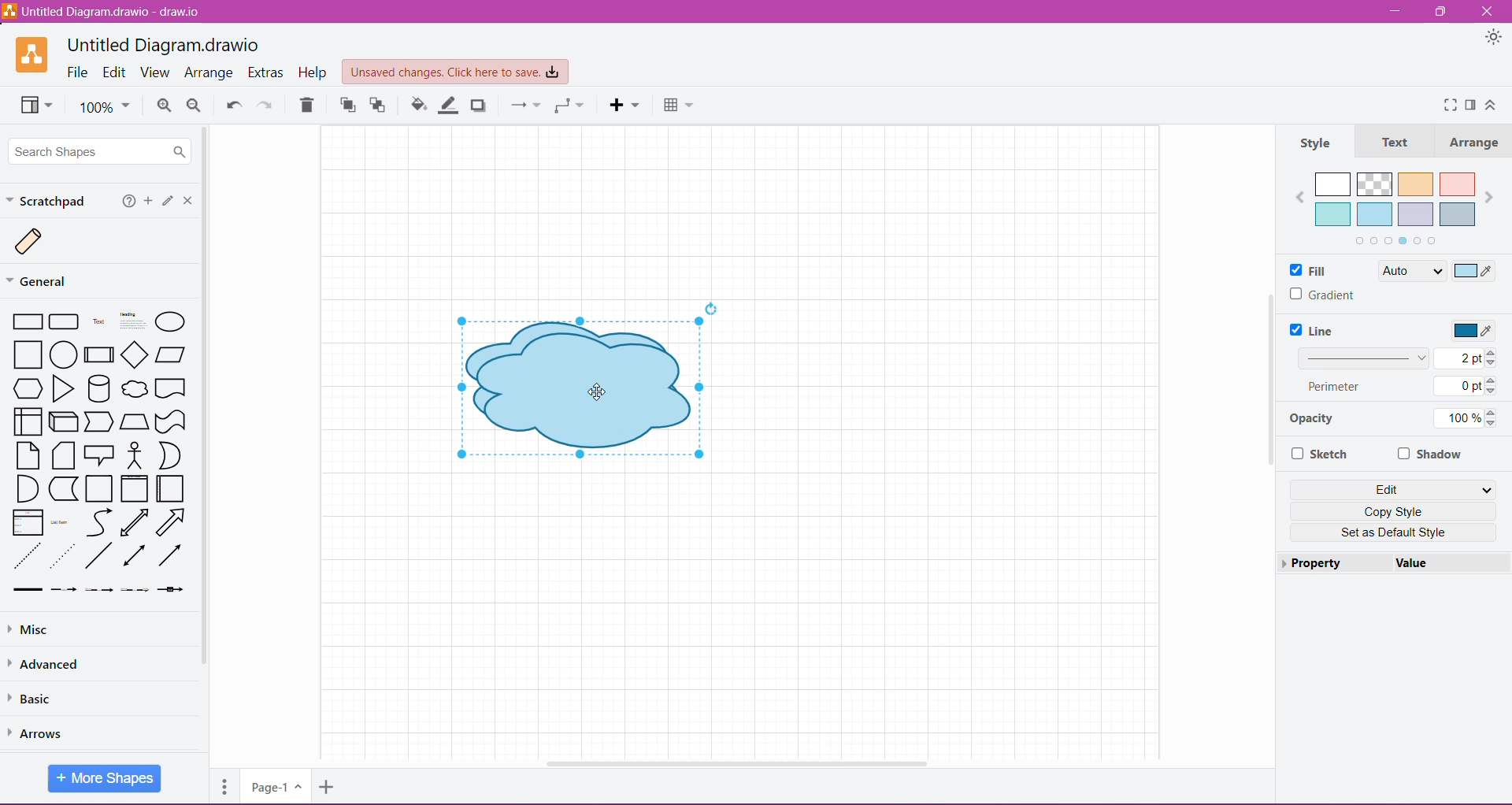  I want to click on To Back, so click(379, 106).